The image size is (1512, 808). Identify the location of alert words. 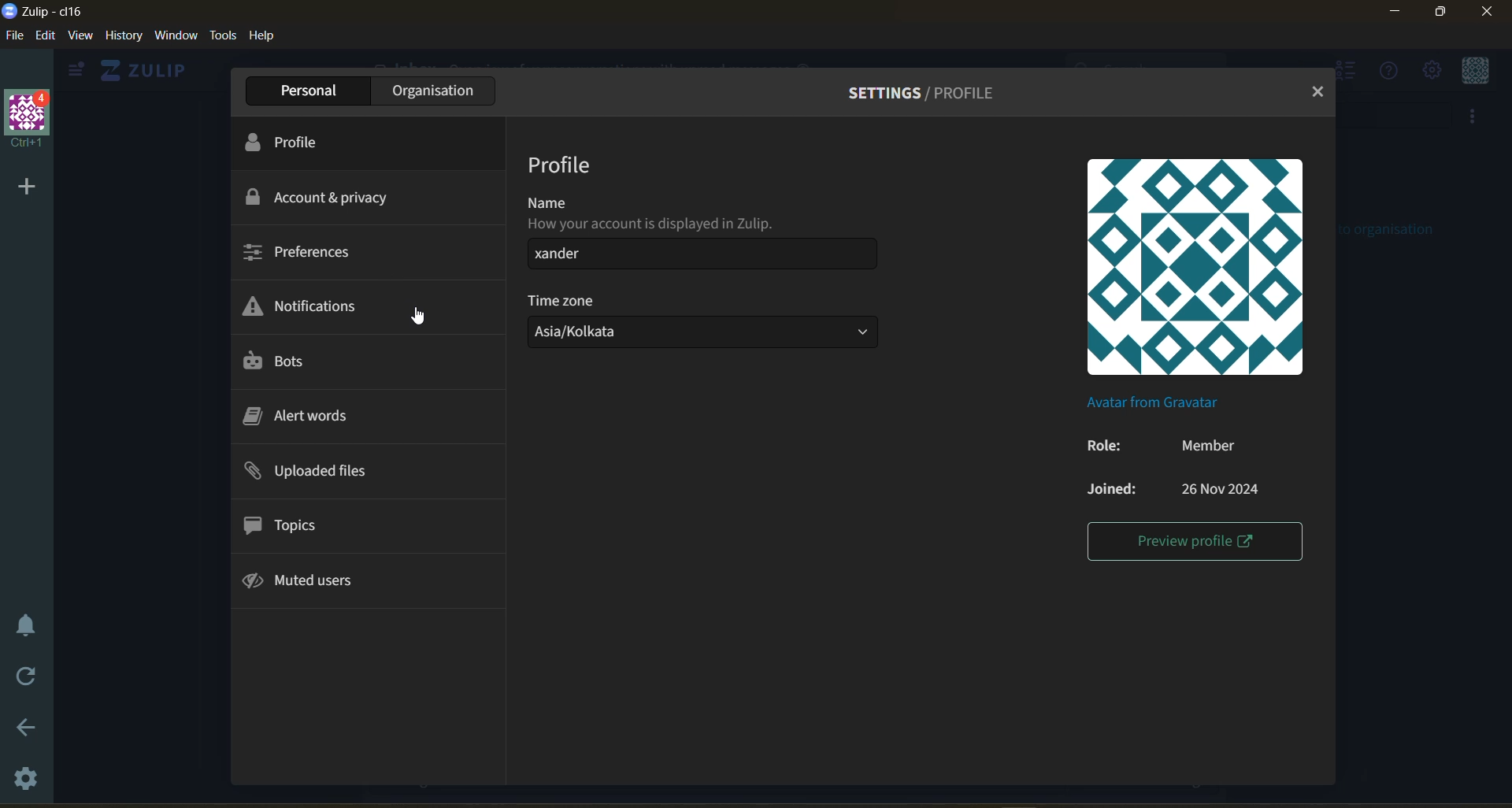
(307, 414).